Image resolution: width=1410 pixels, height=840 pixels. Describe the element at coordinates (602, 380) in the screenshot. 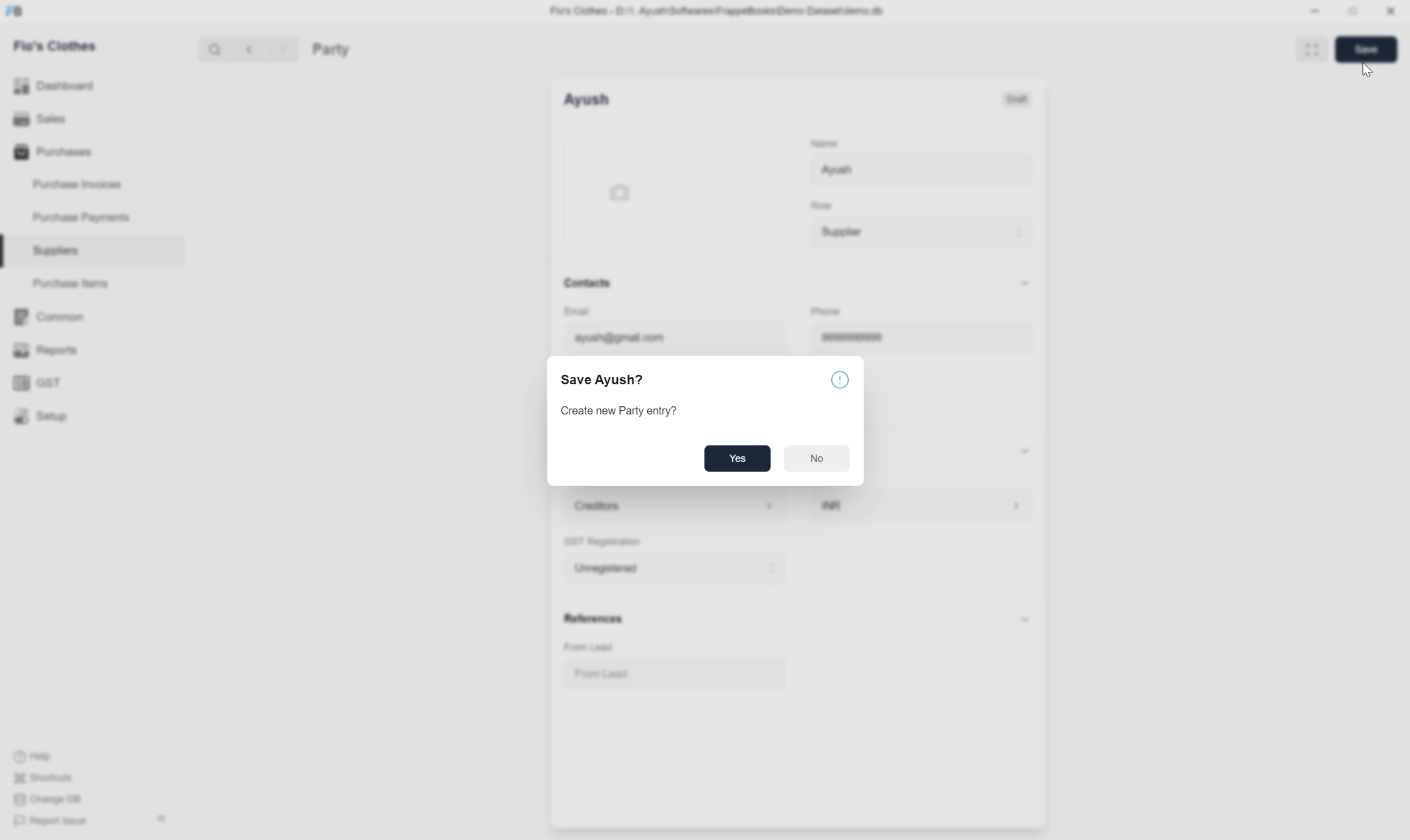

I see `Save Ayush?` at that location.